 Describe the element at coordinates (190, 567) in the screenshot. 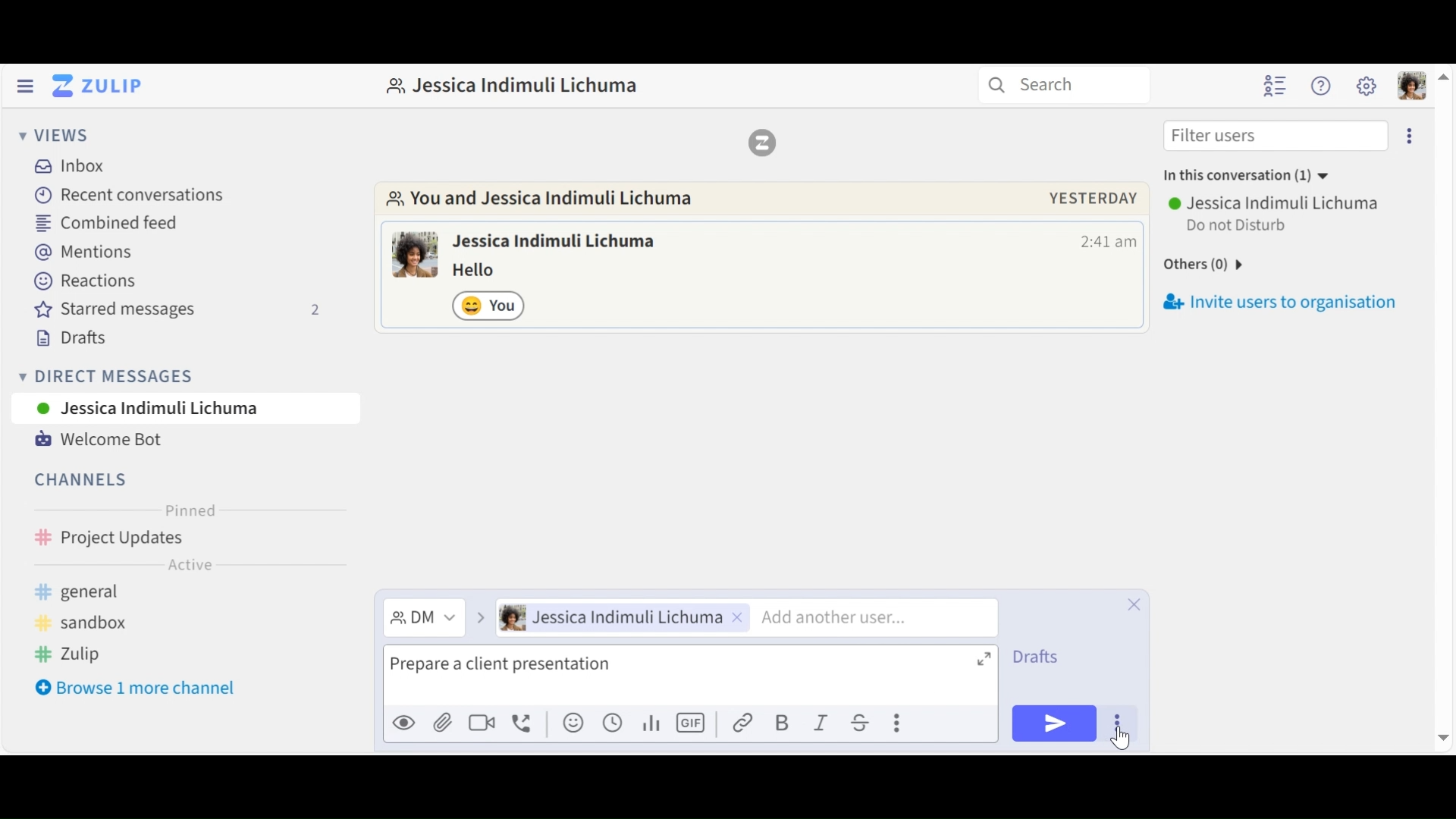

I see `Active` at that location.